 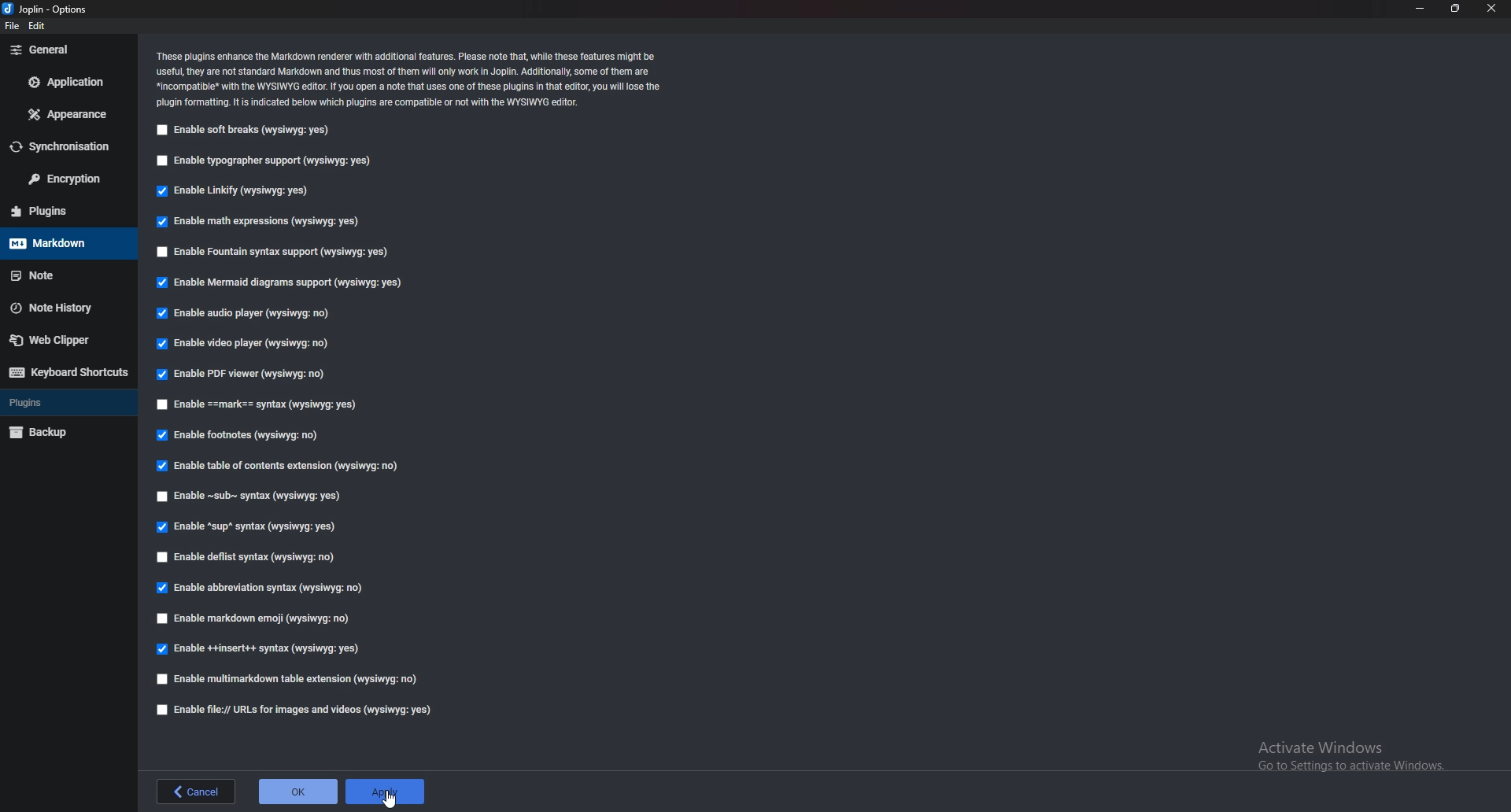 What do you see at coordinates (67, 115) in the screenshot?
I see `Appearance` at bounding box center [67, 115].